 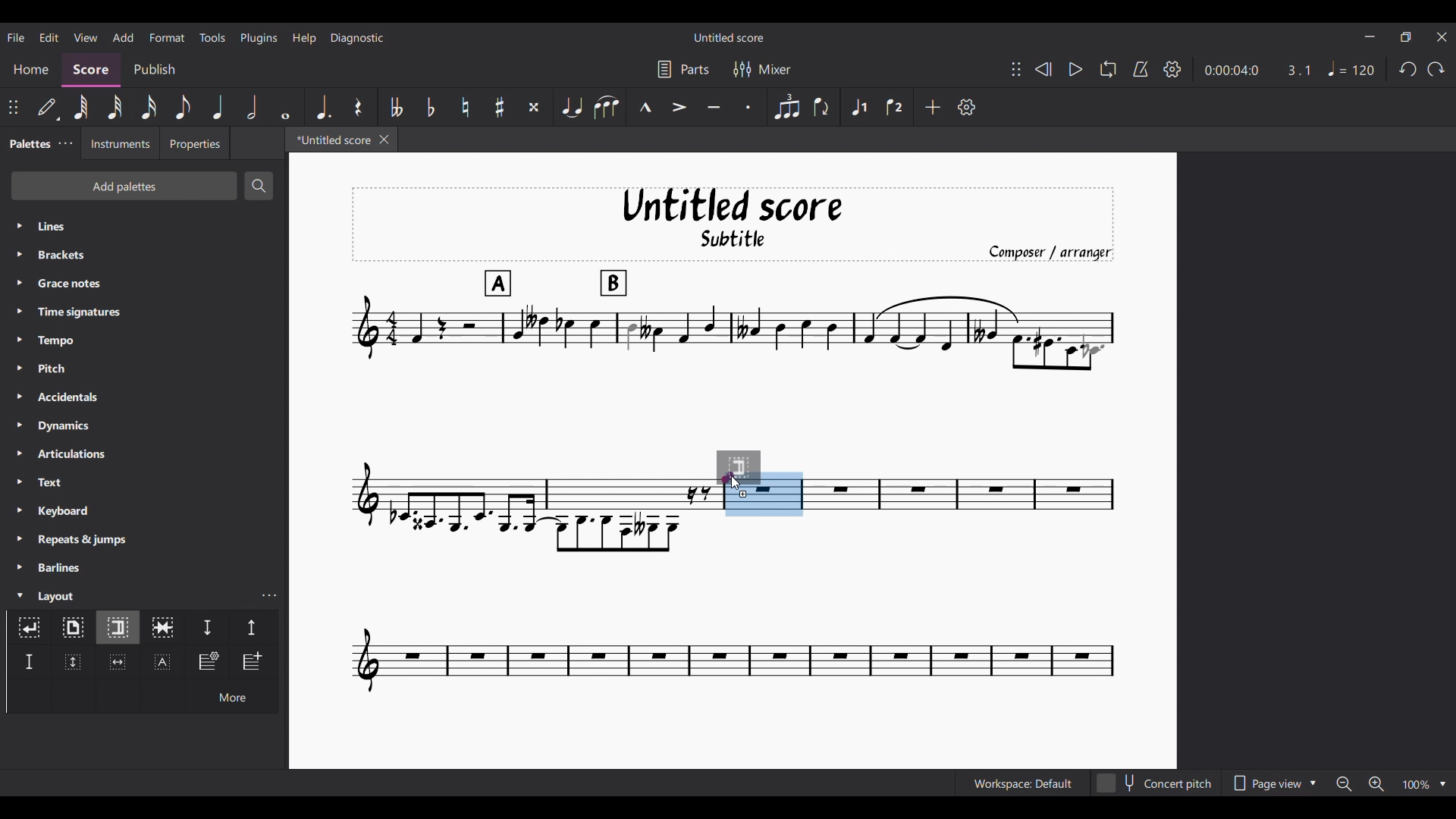 I want to click on Close tab, so click(x=384, y=140).